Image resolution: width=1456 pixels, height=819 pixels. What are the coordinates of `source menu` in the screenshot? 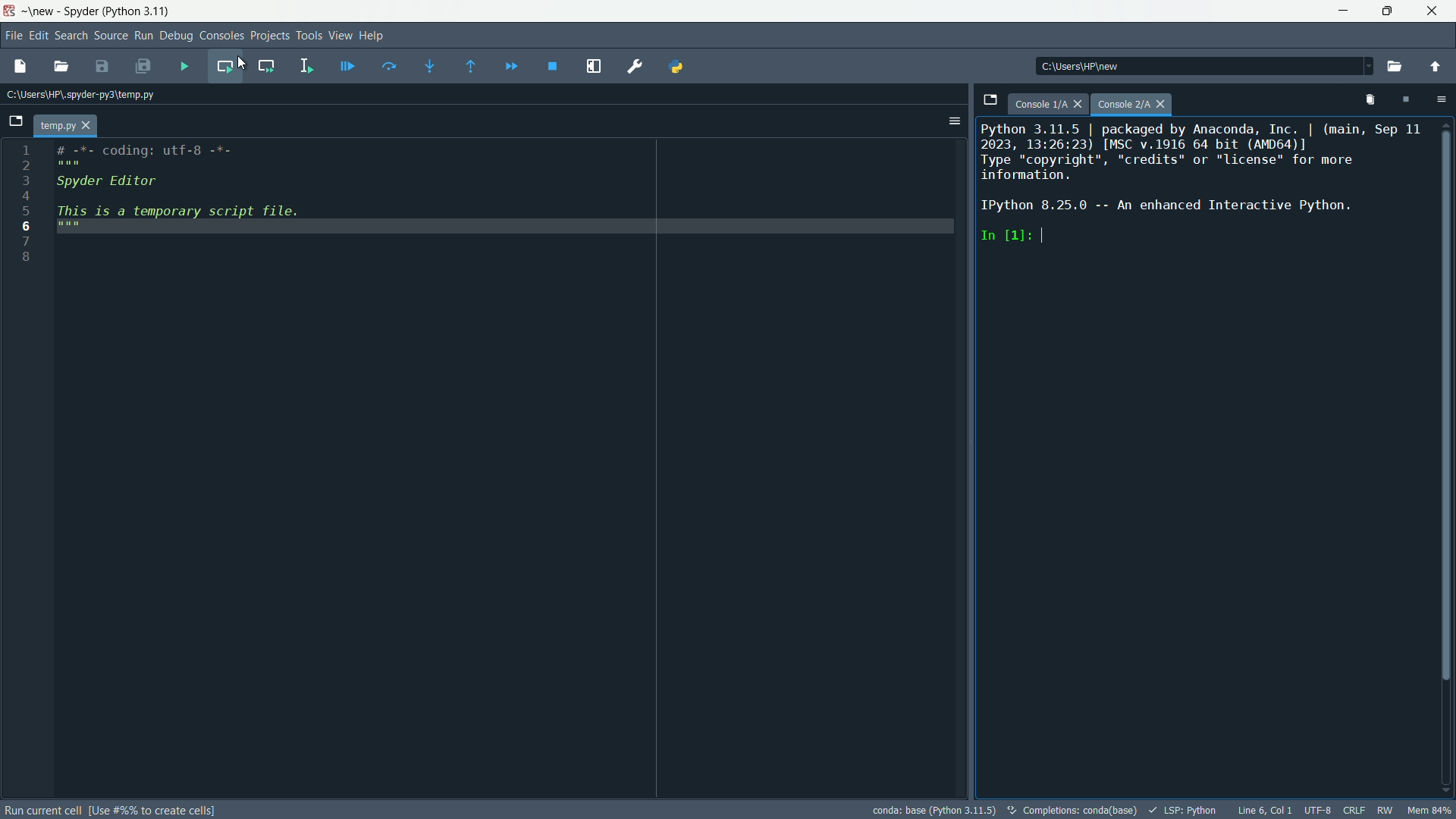 It's located at (110, 35).